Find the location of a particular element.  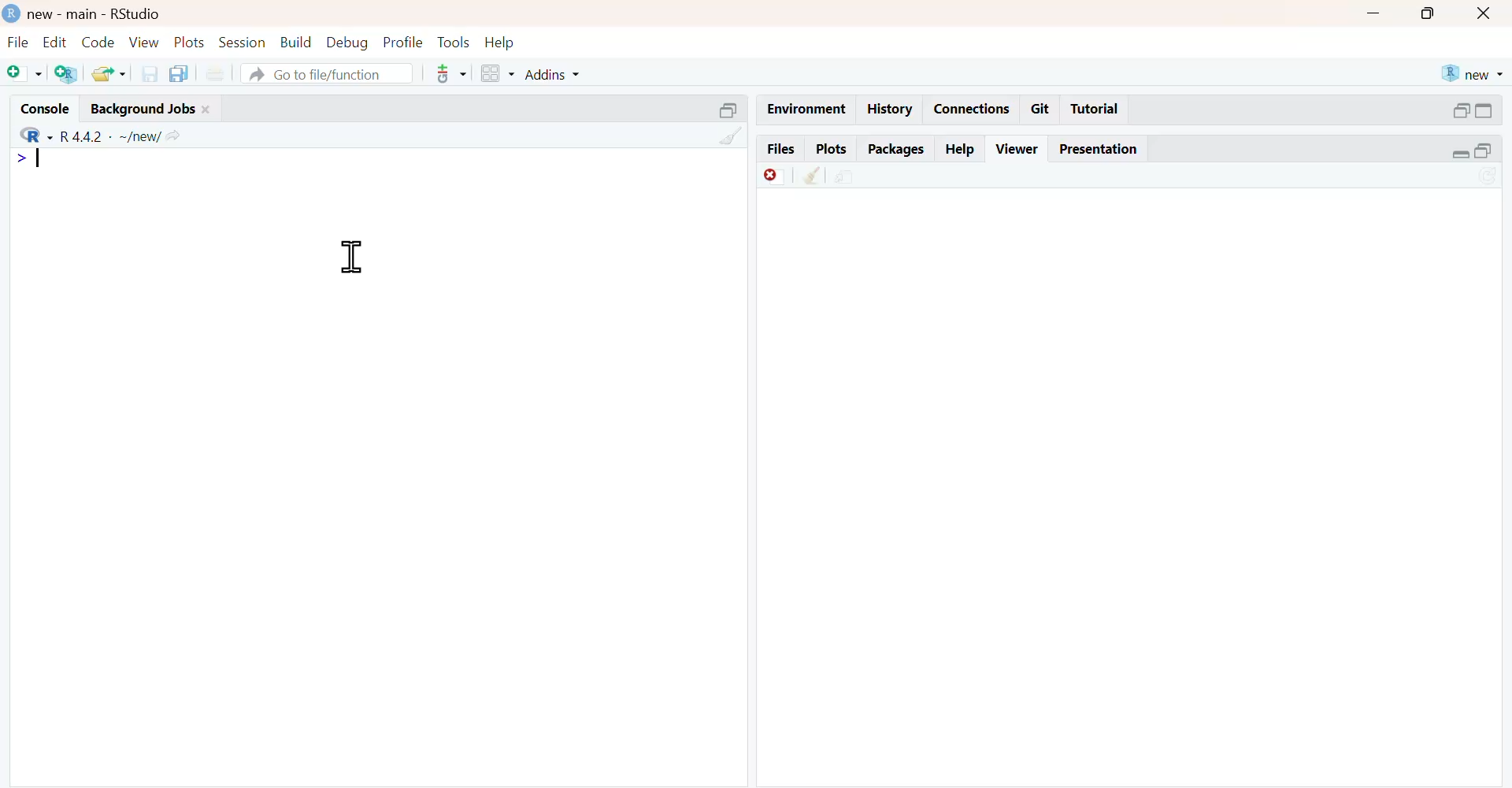

typing indicator is located at coordinates (39, 158).